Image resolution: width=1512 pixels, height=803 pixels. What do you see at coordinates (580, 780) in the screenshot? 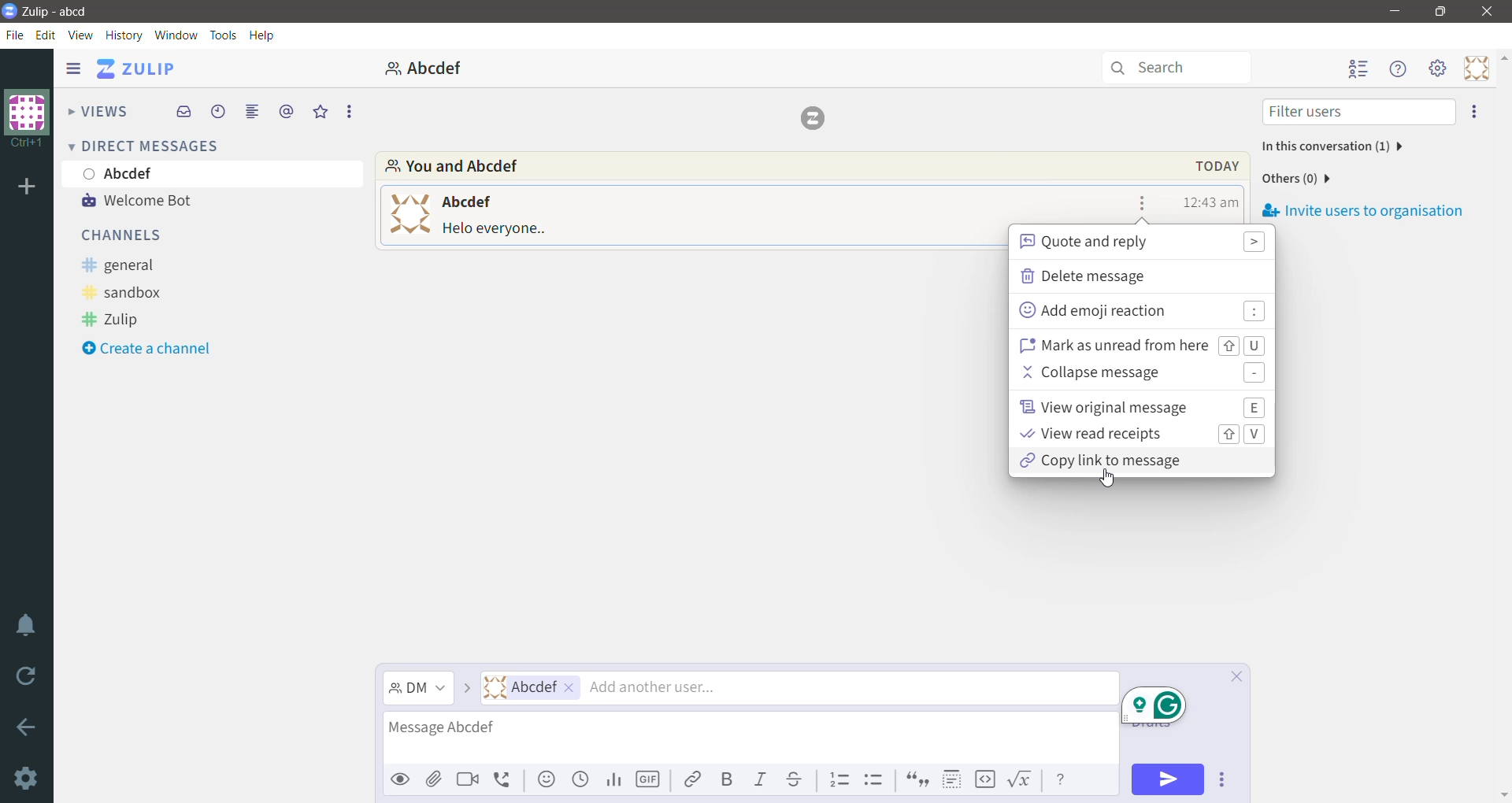
I see `Add global time` at bounding box center [580, 780].